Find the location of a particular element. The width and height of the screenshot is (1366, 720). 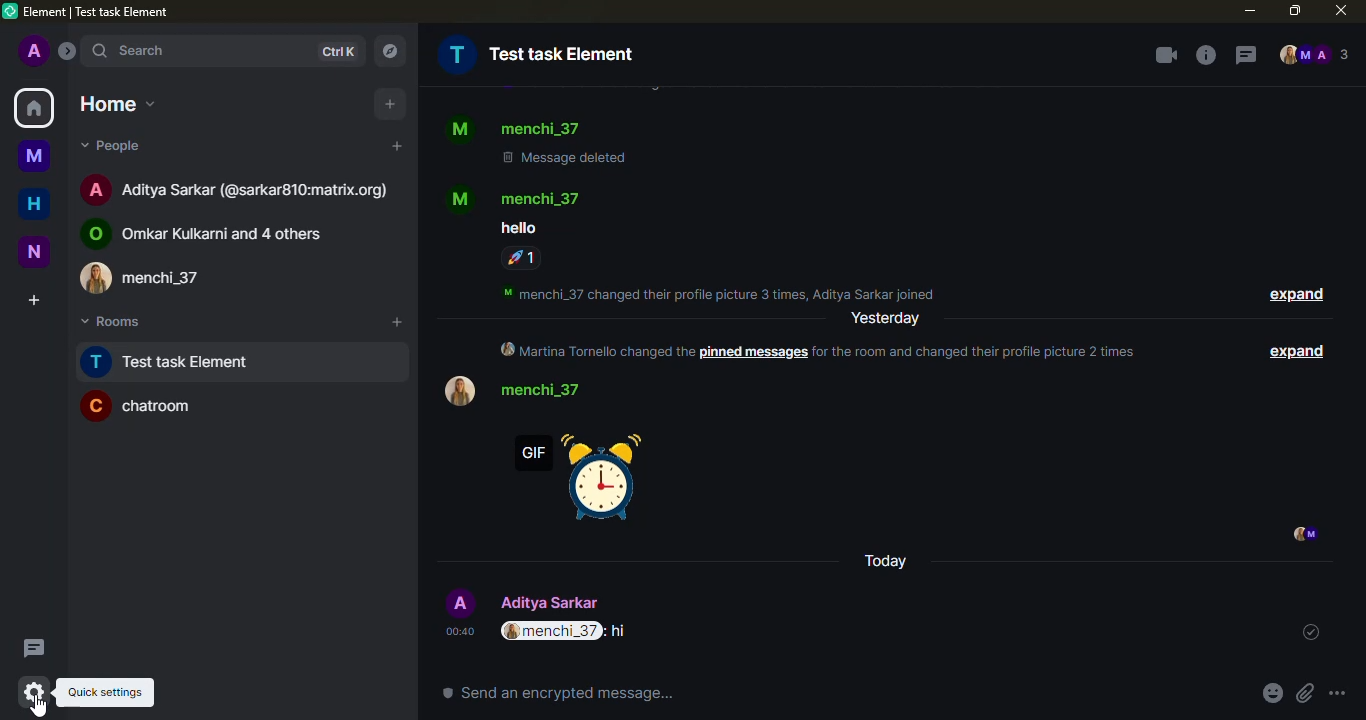

info is located at coordinates (729, 293).